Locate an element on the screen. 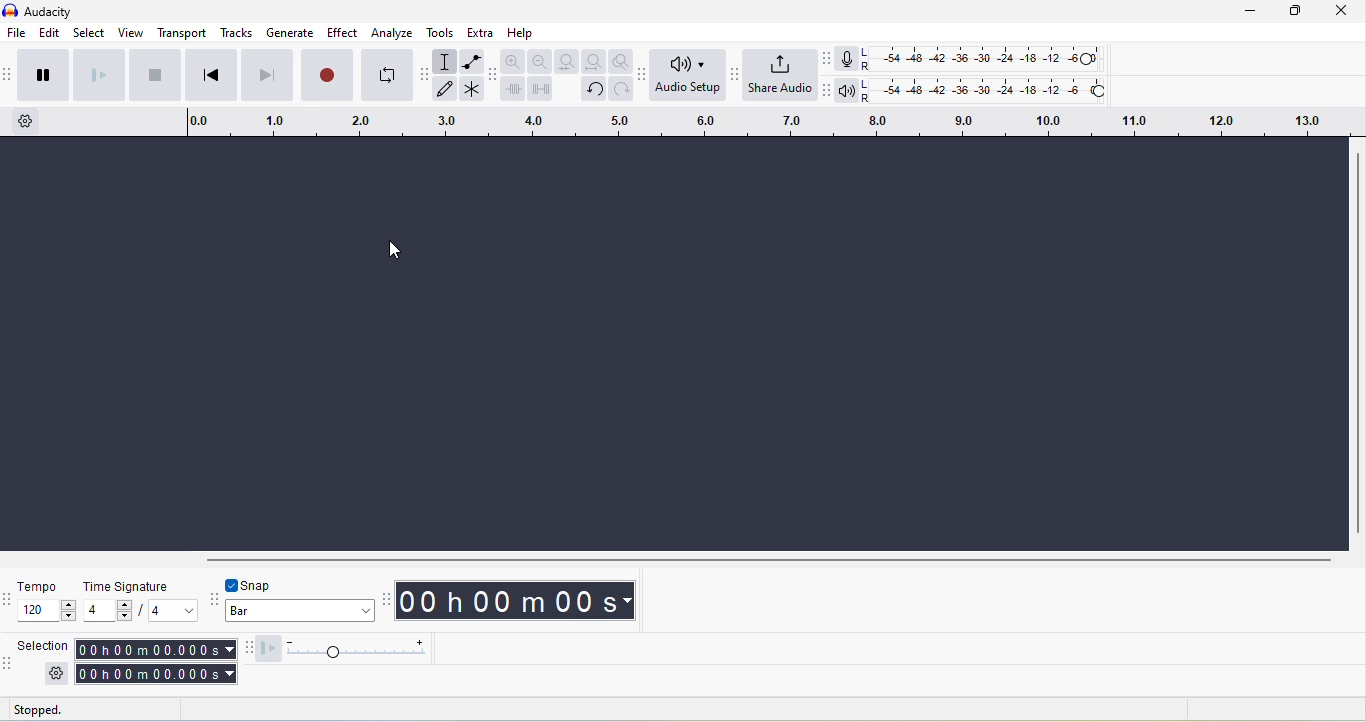 Image resolution: width=1366 pixels, height=722 pixels. file is located at coordinates (18, 34).